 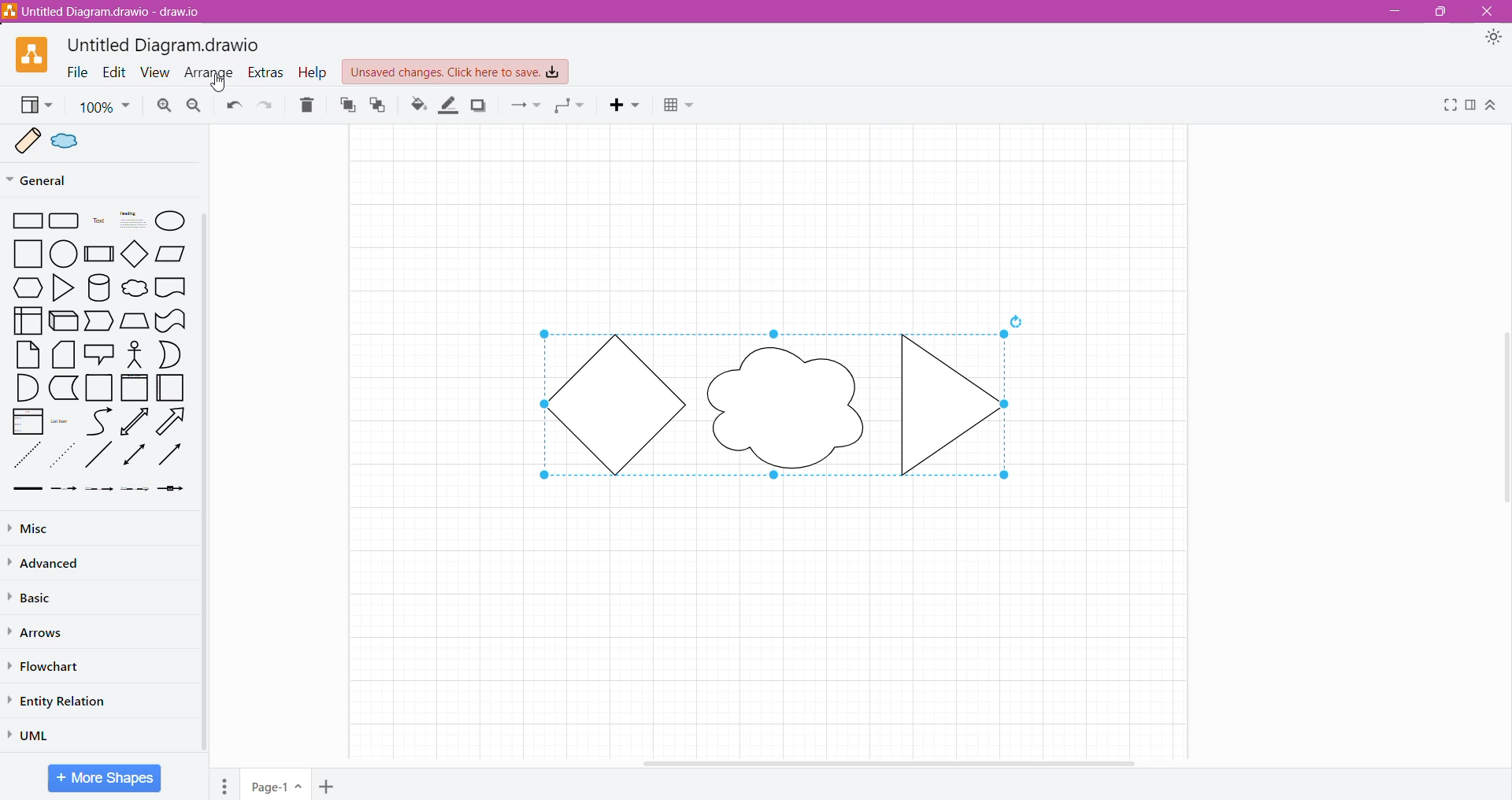 I want to click on Application Logo, so click(x=24, y=54).